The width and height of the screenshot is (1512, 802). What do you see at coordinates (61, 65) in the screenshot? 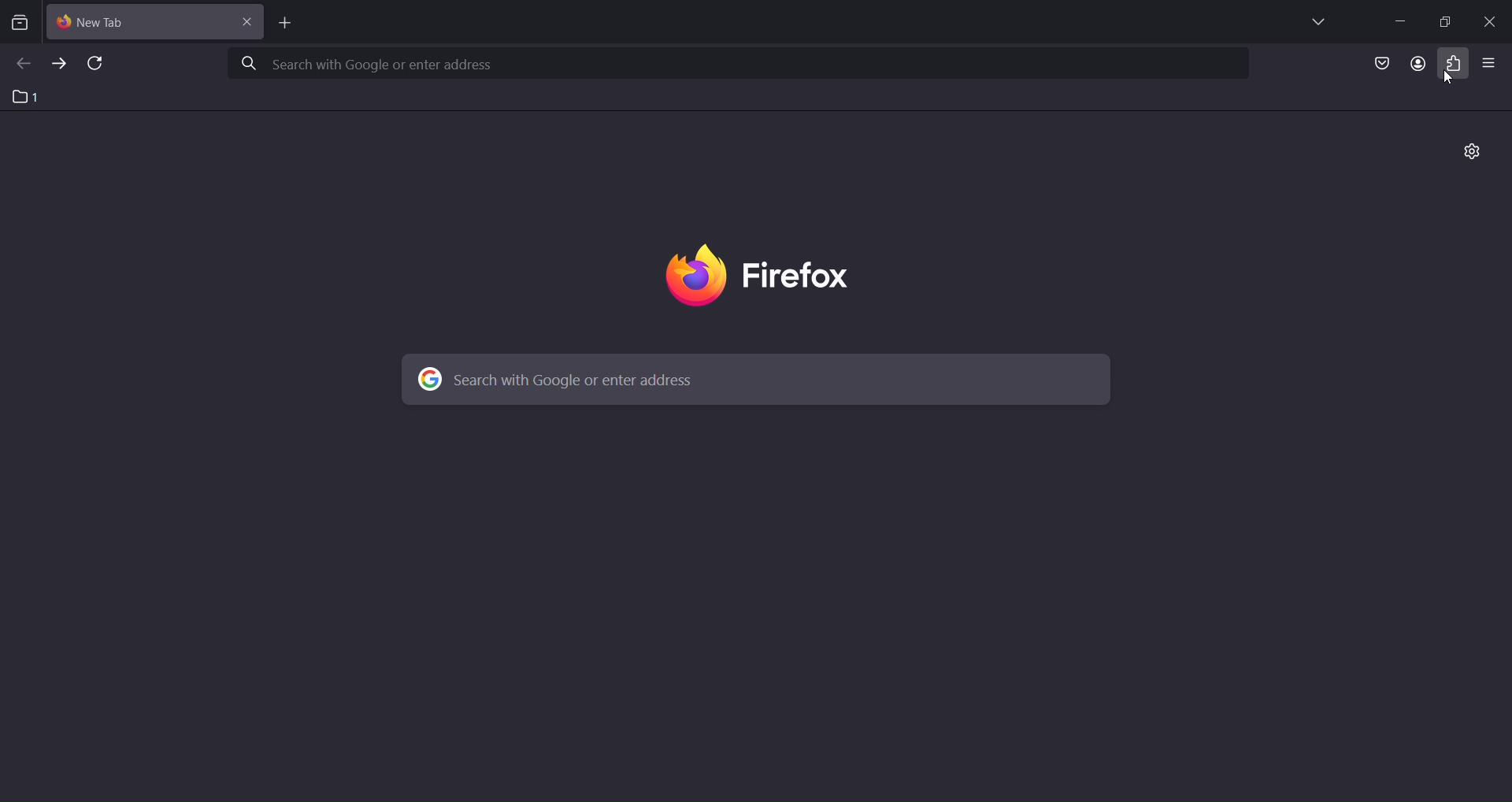
I see `go forward one page` at bounding box center [61, 65].